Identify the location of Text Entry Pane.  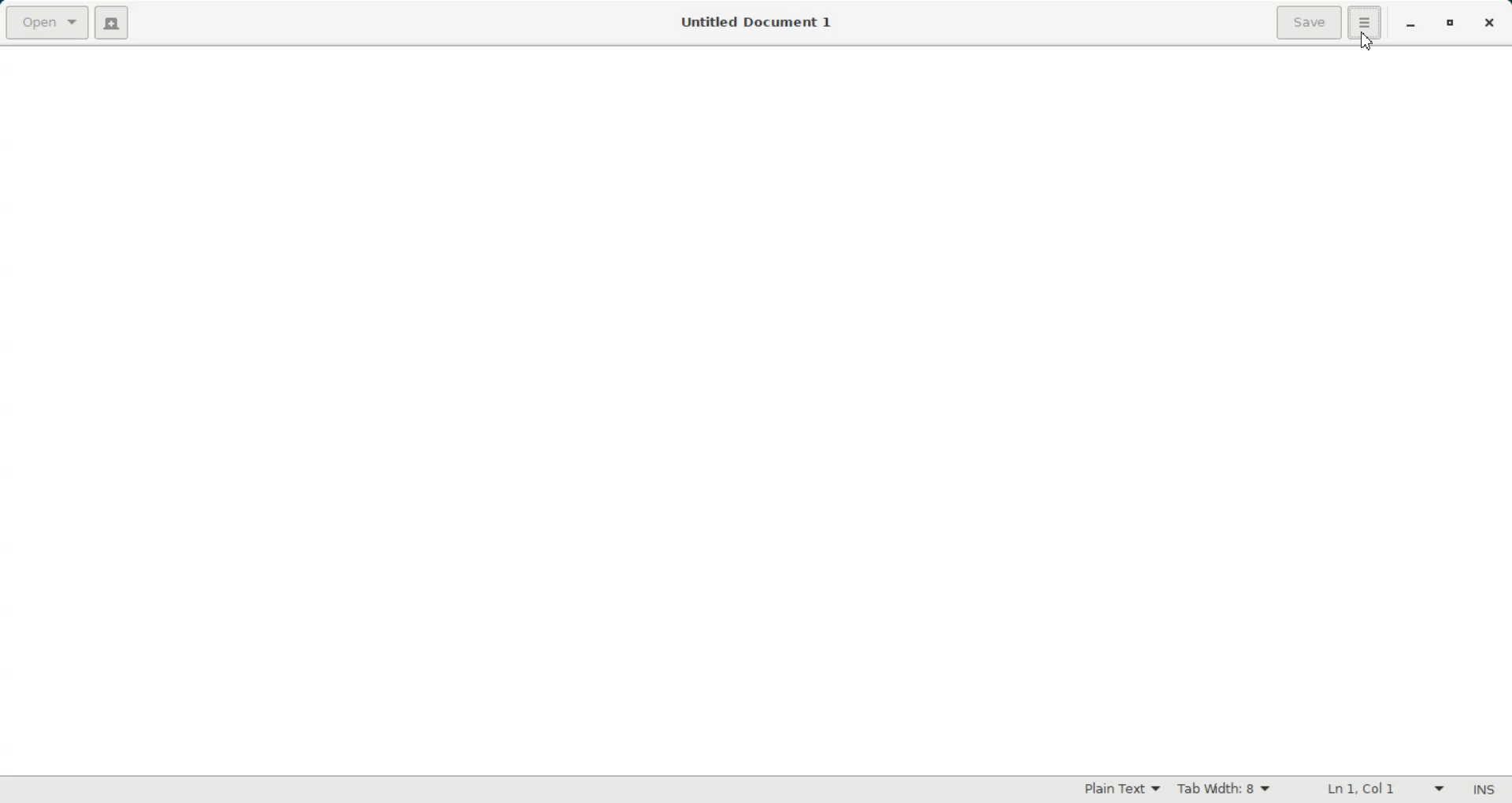
(753, 409).